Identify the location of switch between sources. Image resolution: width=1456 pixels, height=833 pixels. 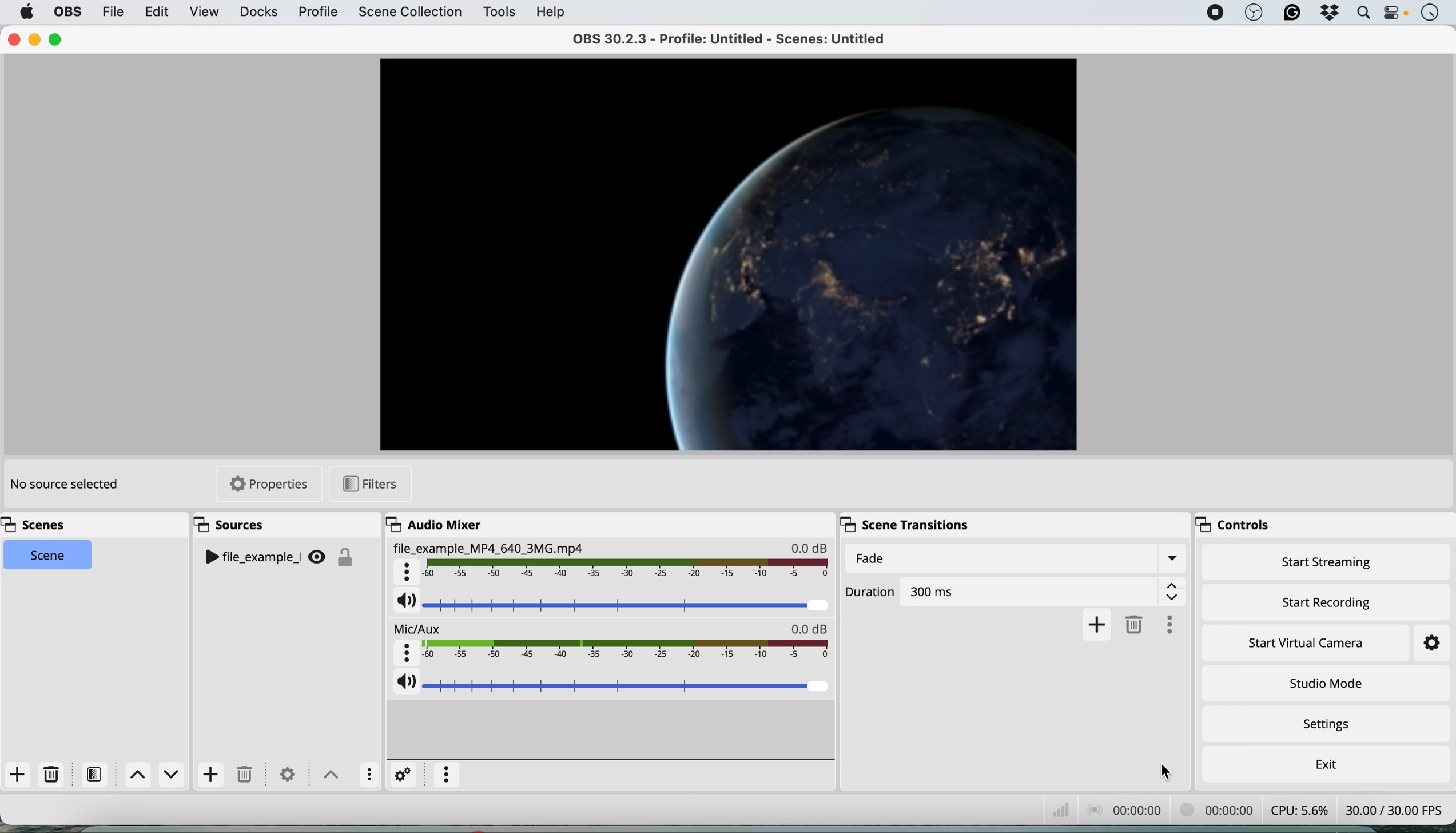
(328, 773).